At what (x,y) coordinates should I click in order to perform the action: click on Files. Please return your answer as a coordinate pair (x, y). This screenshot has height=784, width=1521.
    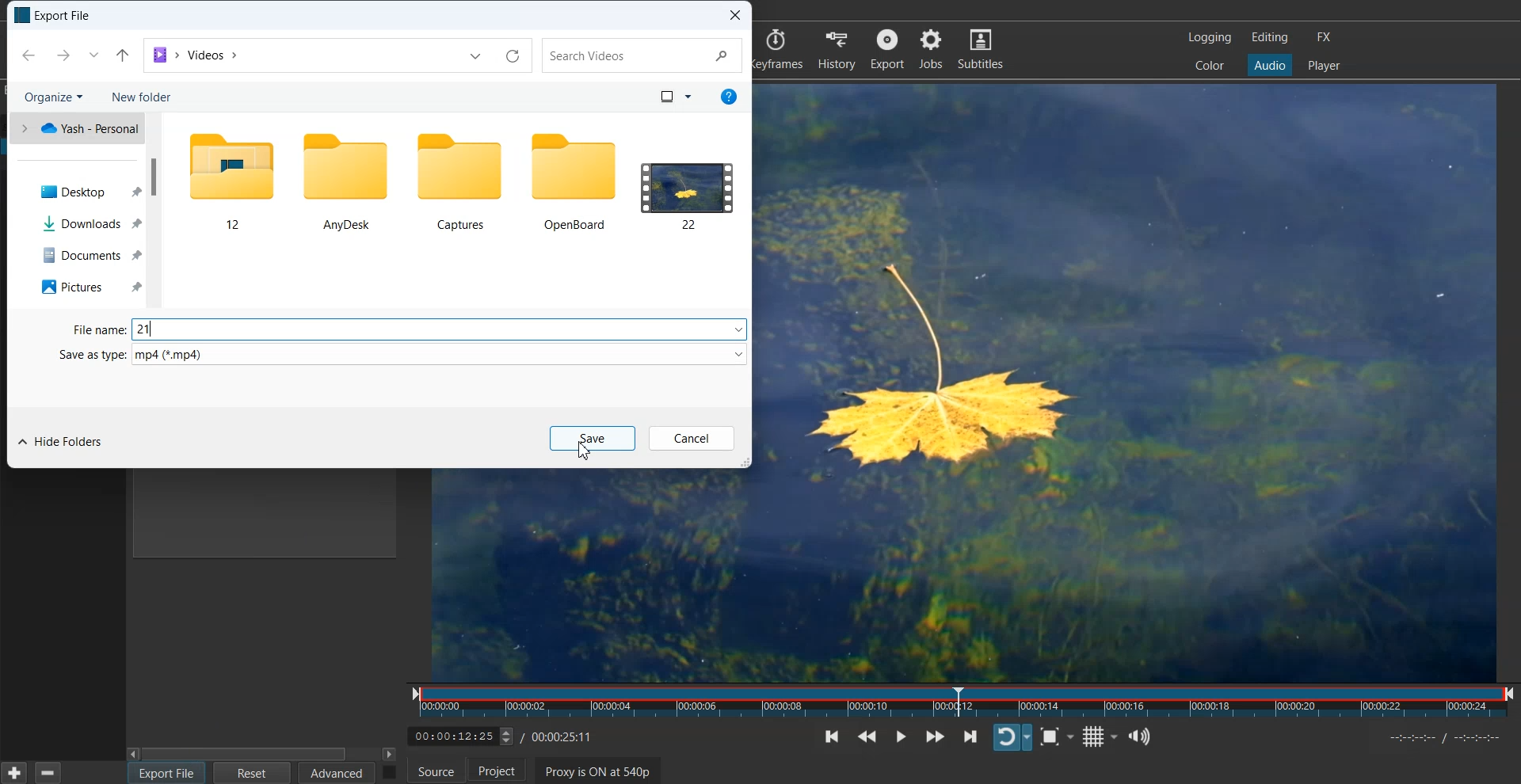
    Looking at the image, I should click on (460, 181).